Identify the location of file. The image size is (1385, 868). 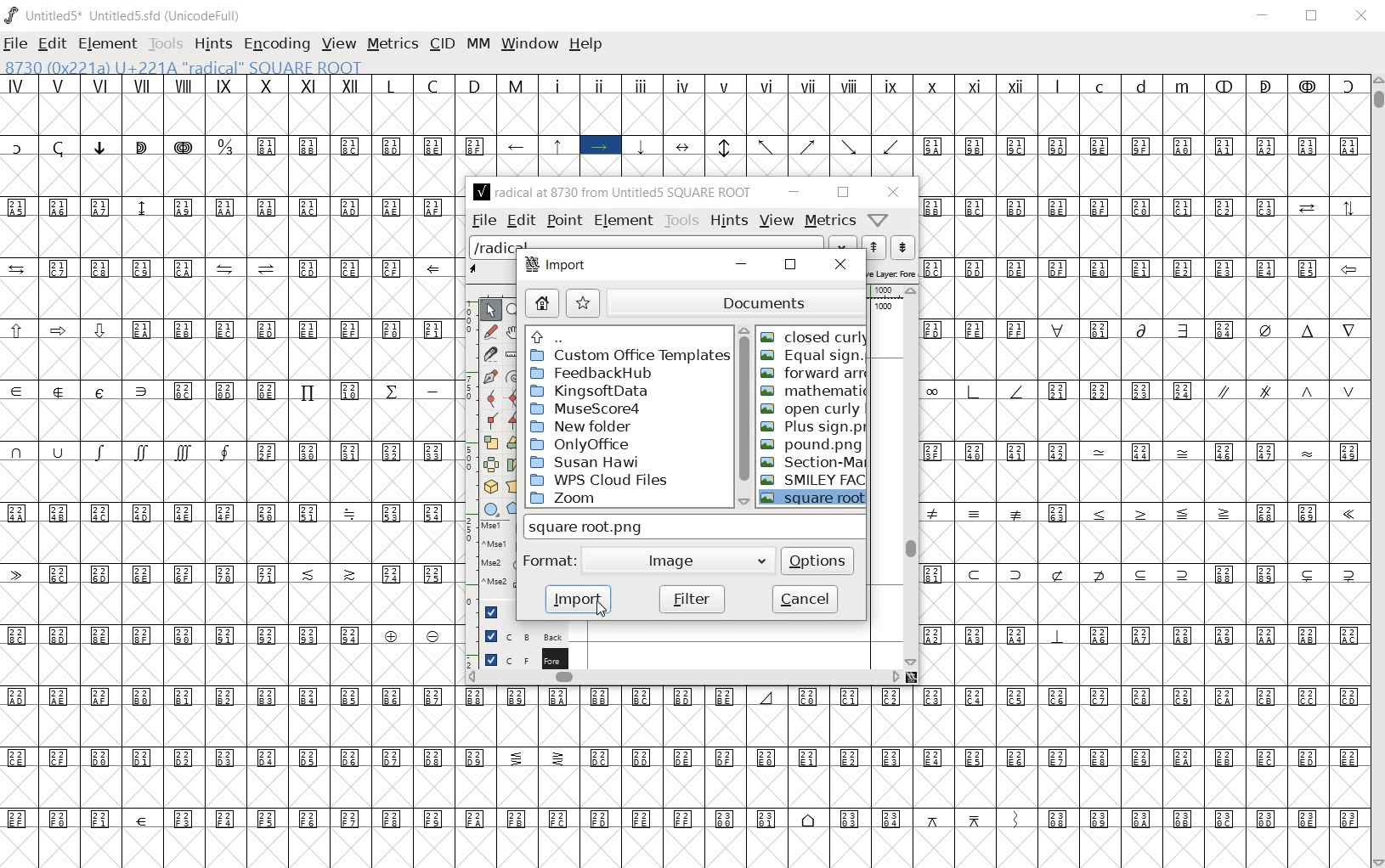
(482, 222).